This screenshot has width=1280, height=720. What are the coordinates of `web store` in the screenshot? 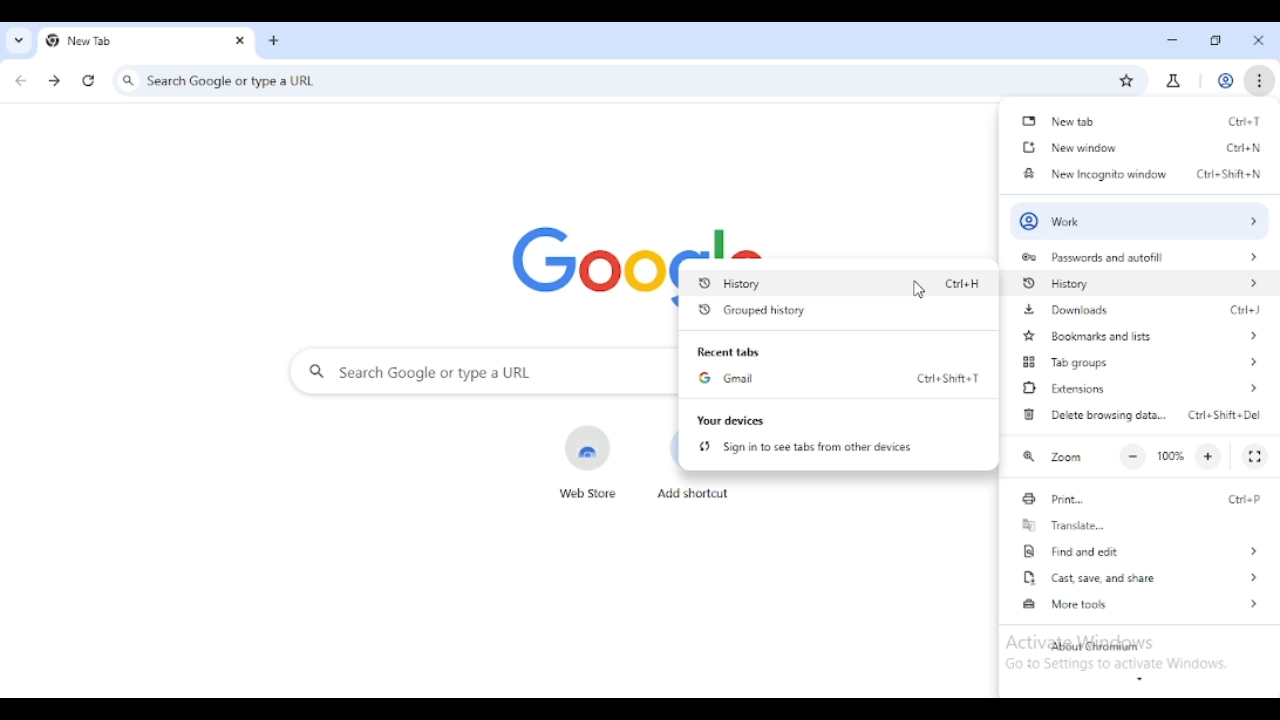 It's located at (588, 461).